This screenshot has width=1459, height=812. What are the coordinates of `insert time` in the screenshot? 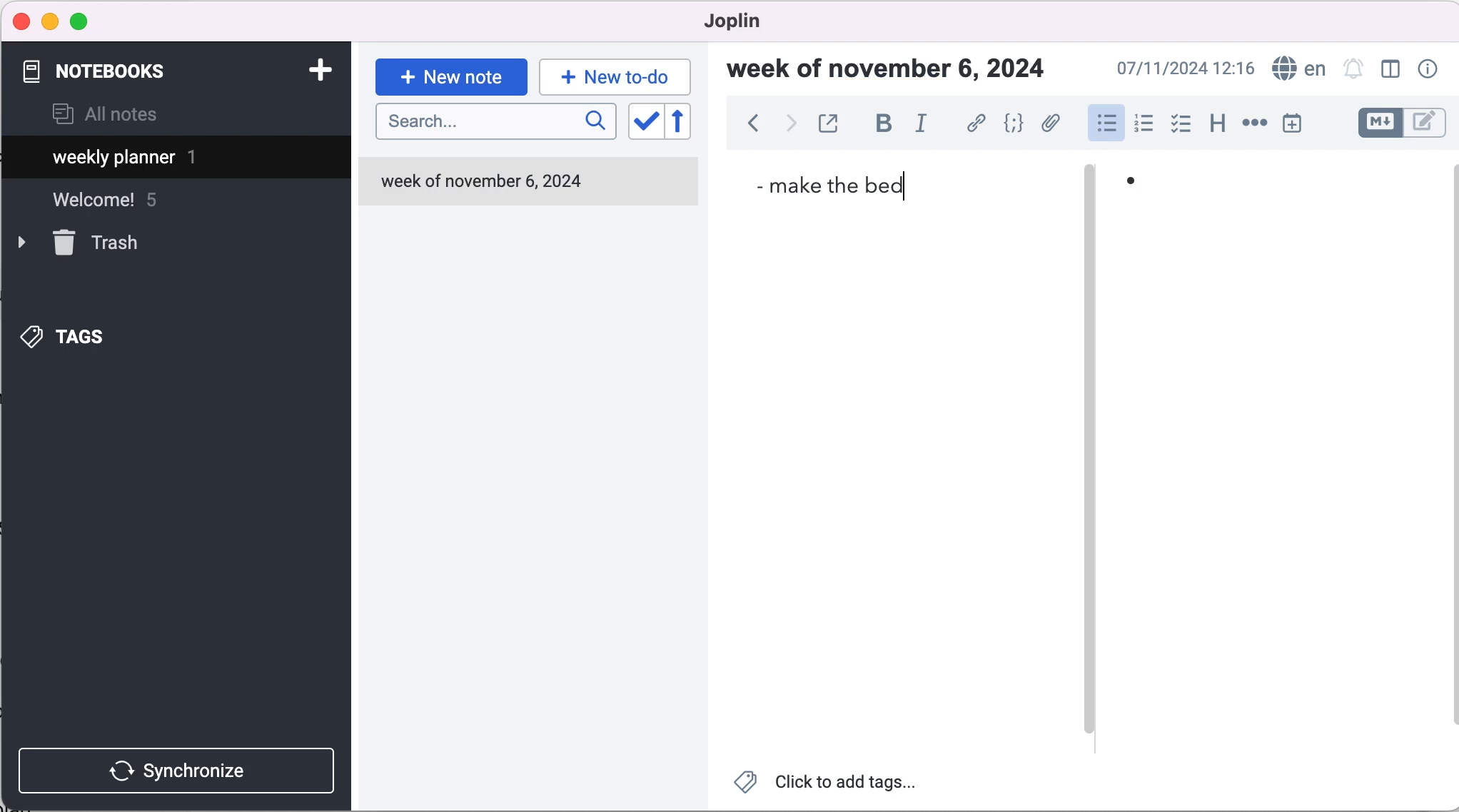 It's located at (1295, 123).